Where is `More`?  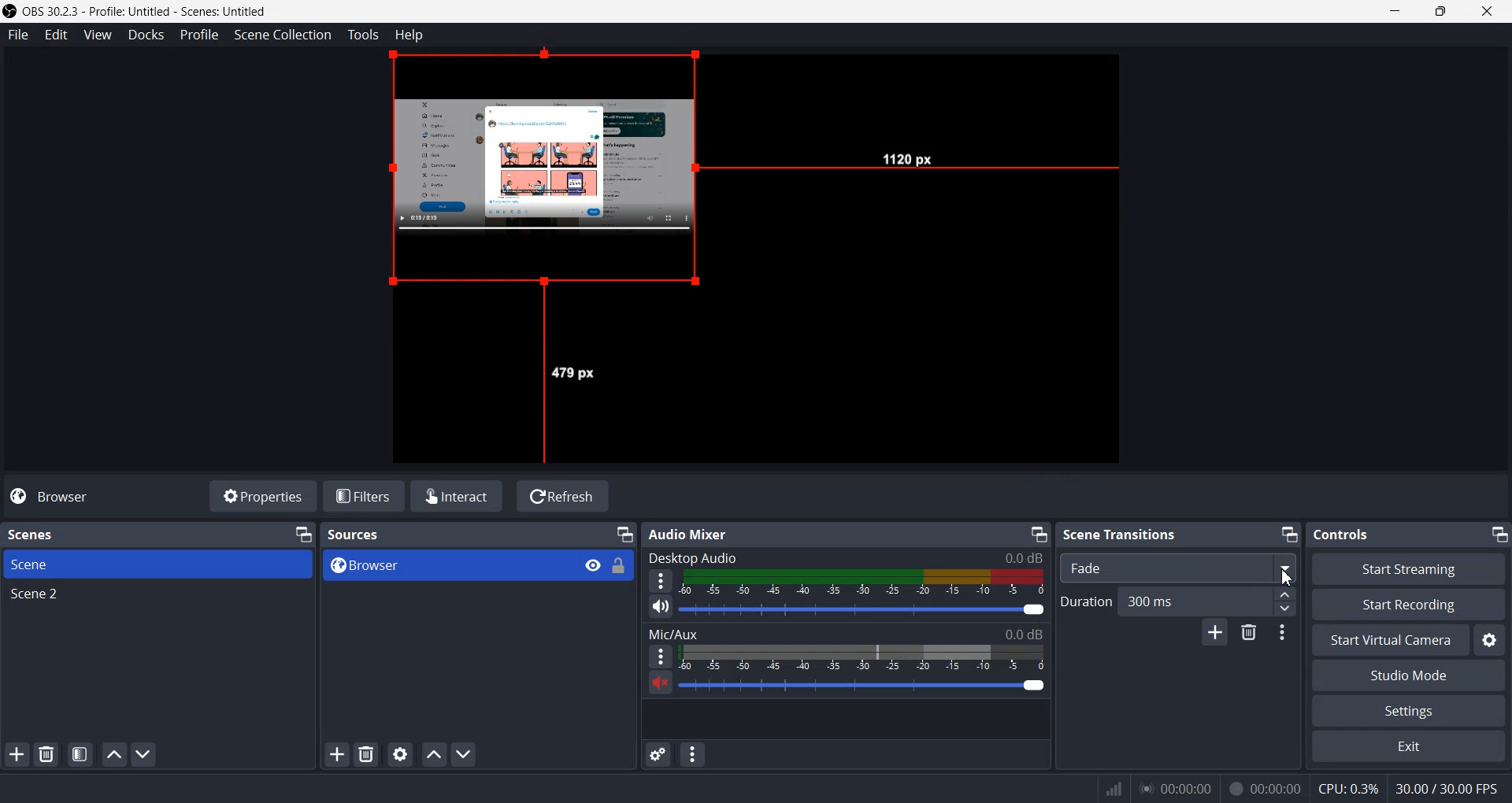
More is located at coordinates (660, 655).